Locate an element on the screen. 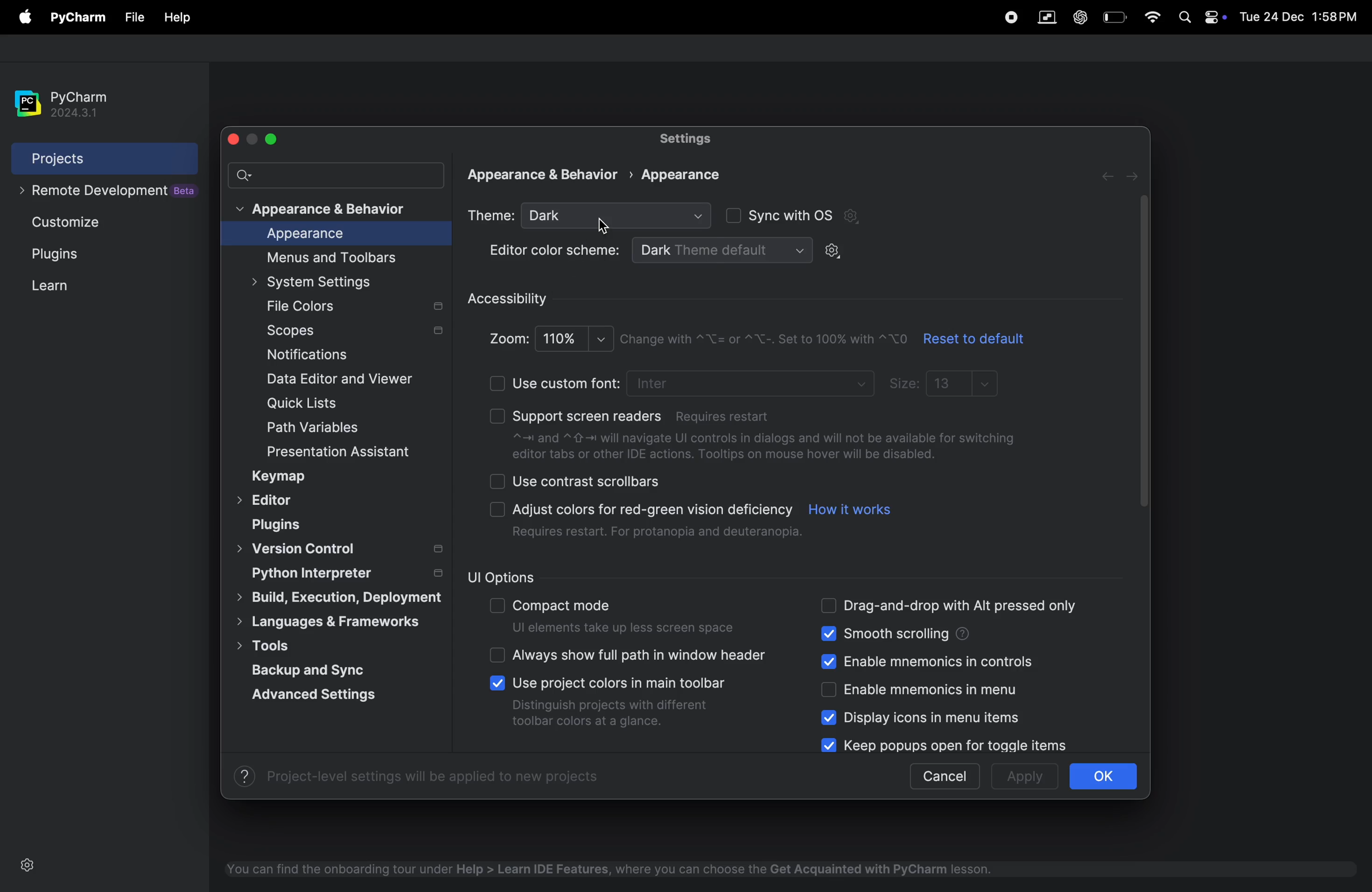 The image size is (1372, 892). apply is located at coordinates (1022, 778).